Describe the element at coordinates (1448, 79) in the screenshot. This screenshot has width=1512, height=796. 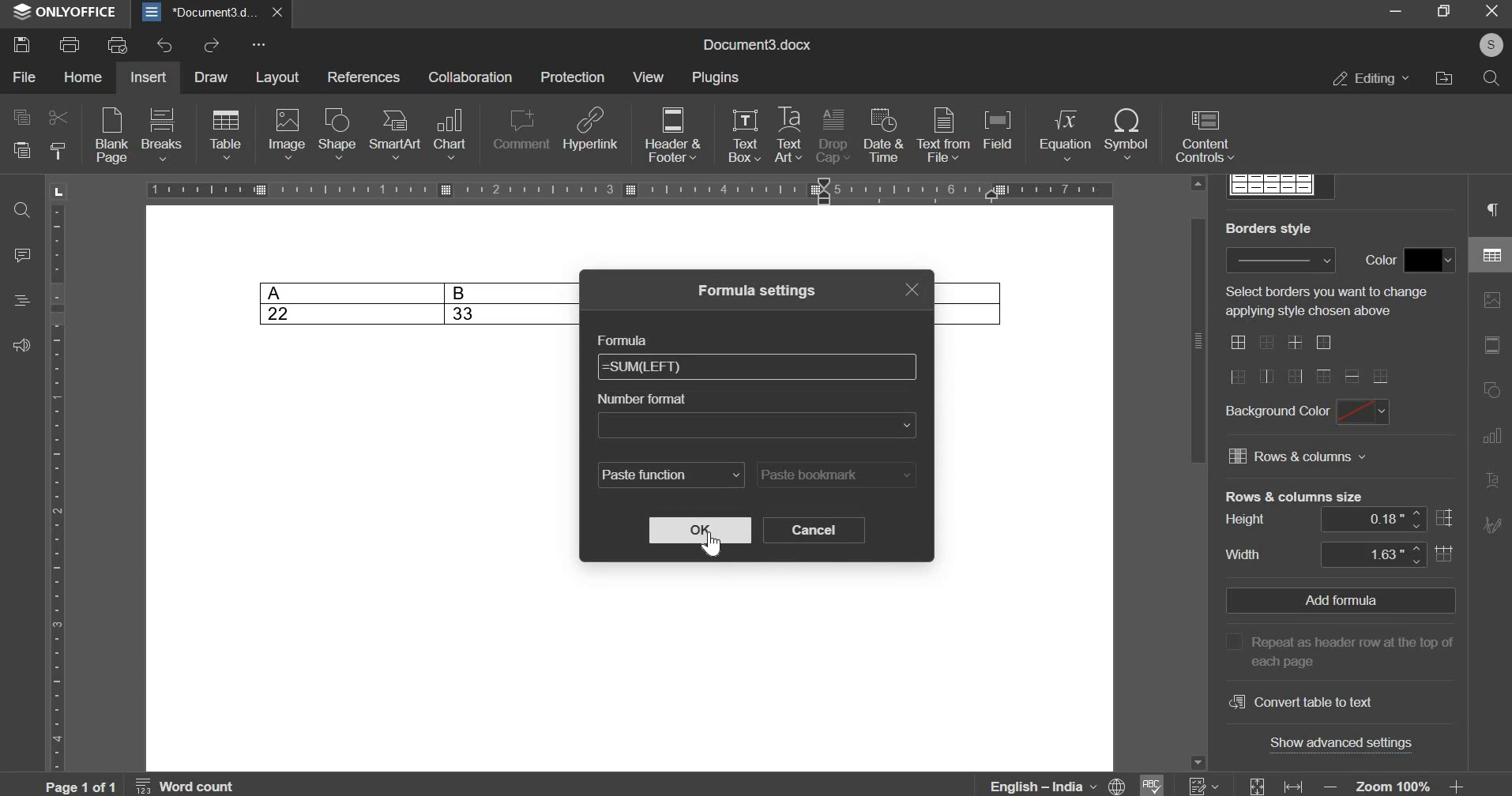
I see `file location` at that location.